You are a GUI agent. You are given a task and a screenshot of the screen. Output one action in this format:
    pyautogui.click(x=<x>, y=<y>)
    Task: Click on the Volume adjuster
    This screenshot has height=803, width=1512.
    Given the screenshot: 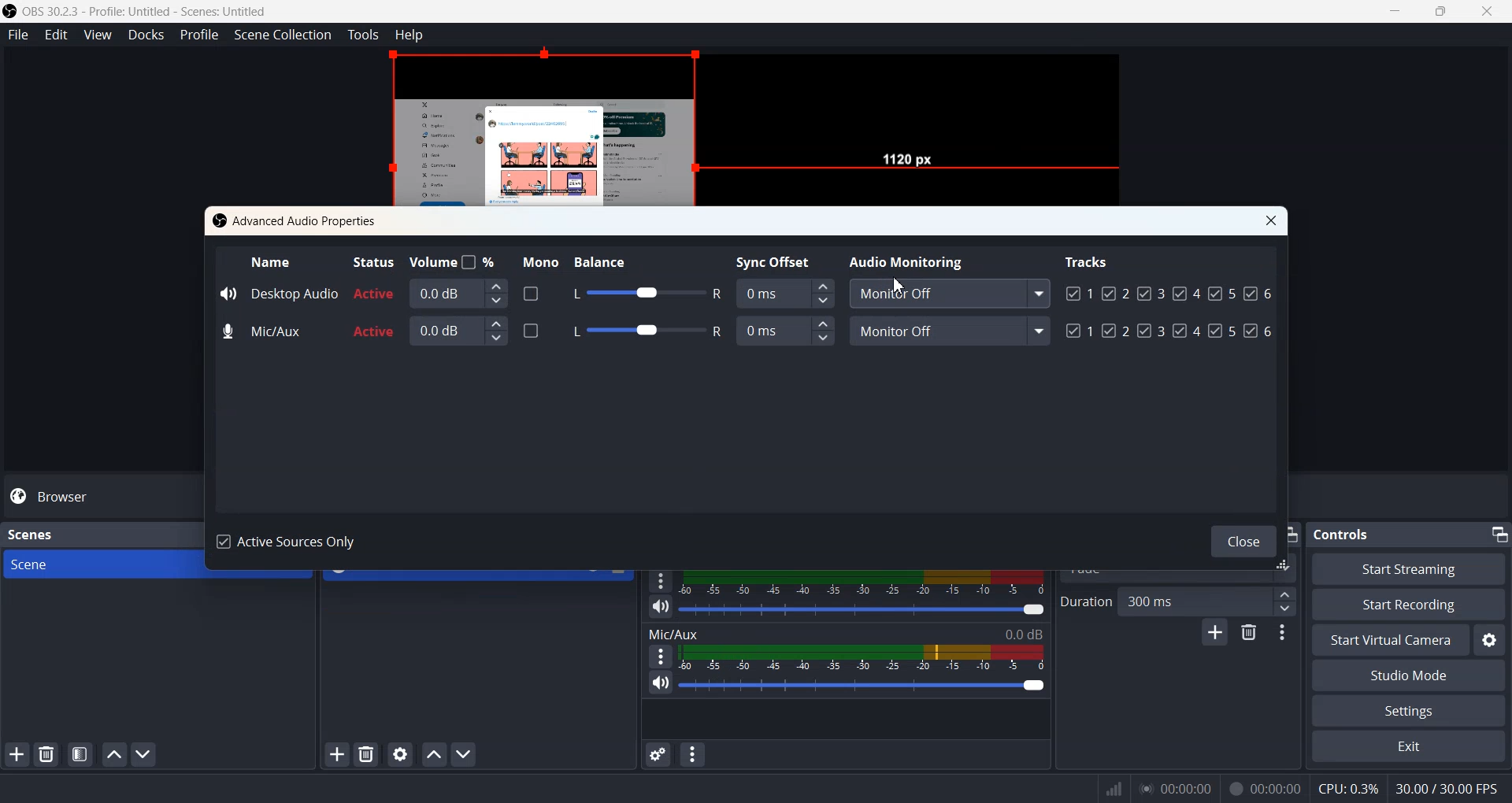 What is the action you would take?
    pyautogui.click(x=865, y=609)
    